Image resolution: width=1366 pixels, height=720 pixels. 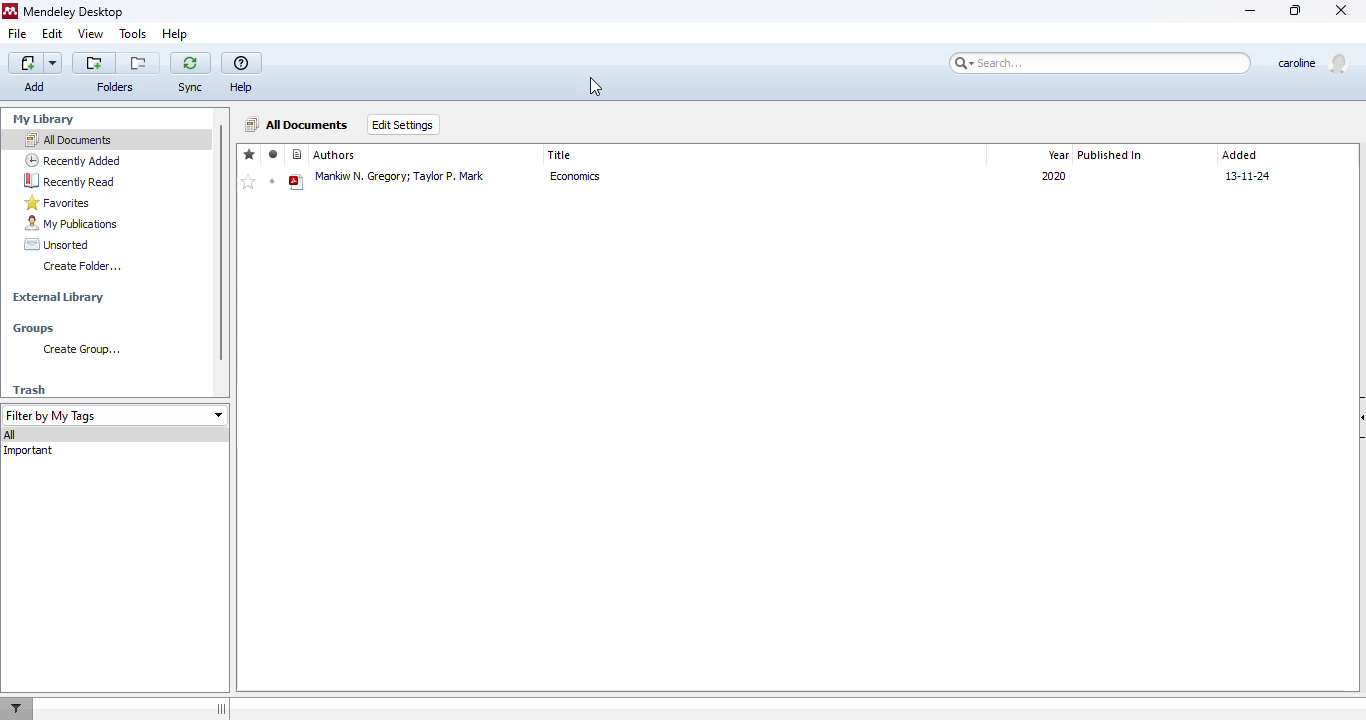 I want to click on added, so click(x=1240, y=155).